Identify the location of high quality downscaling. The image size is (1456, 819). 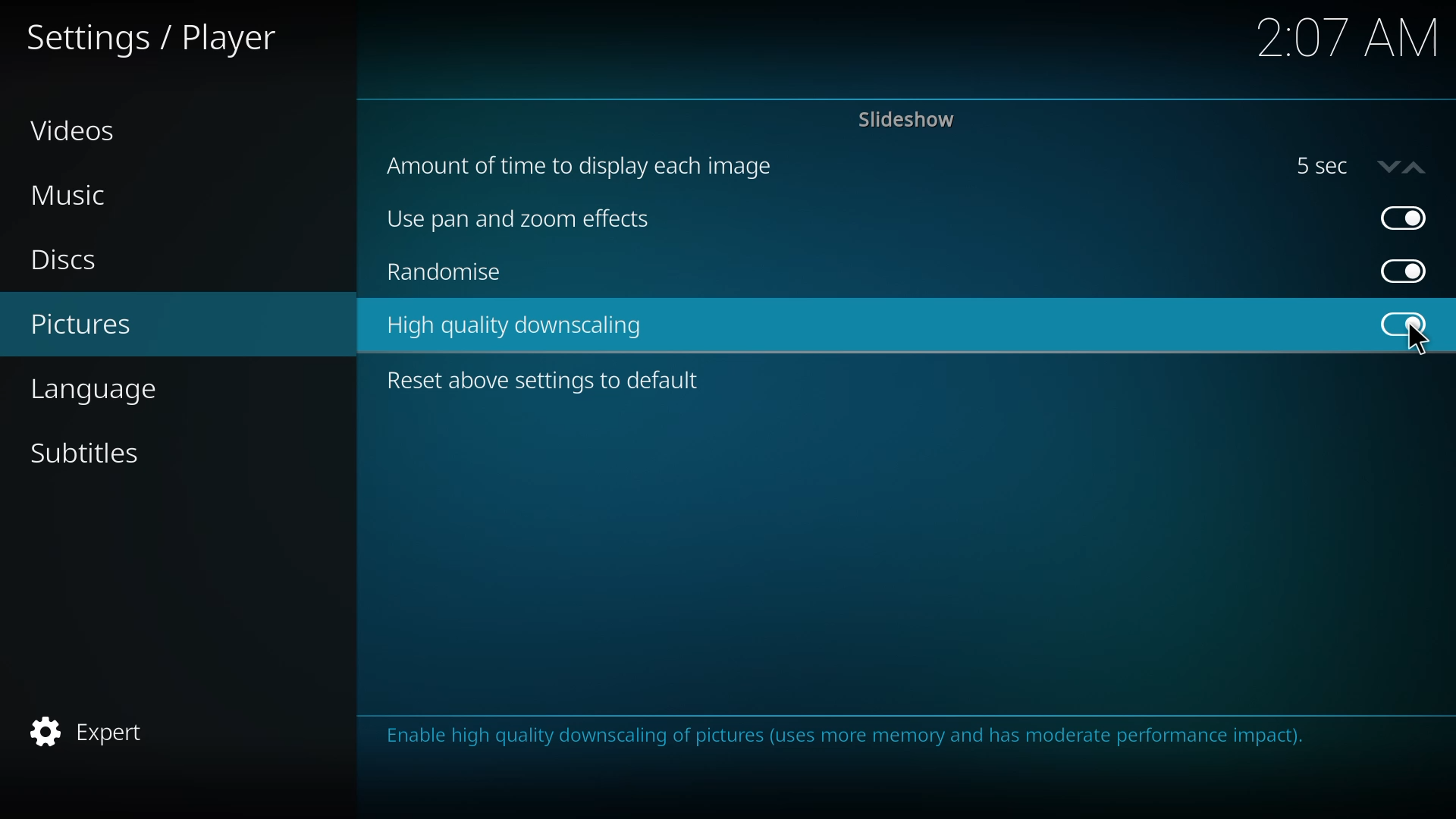
(519, 328).